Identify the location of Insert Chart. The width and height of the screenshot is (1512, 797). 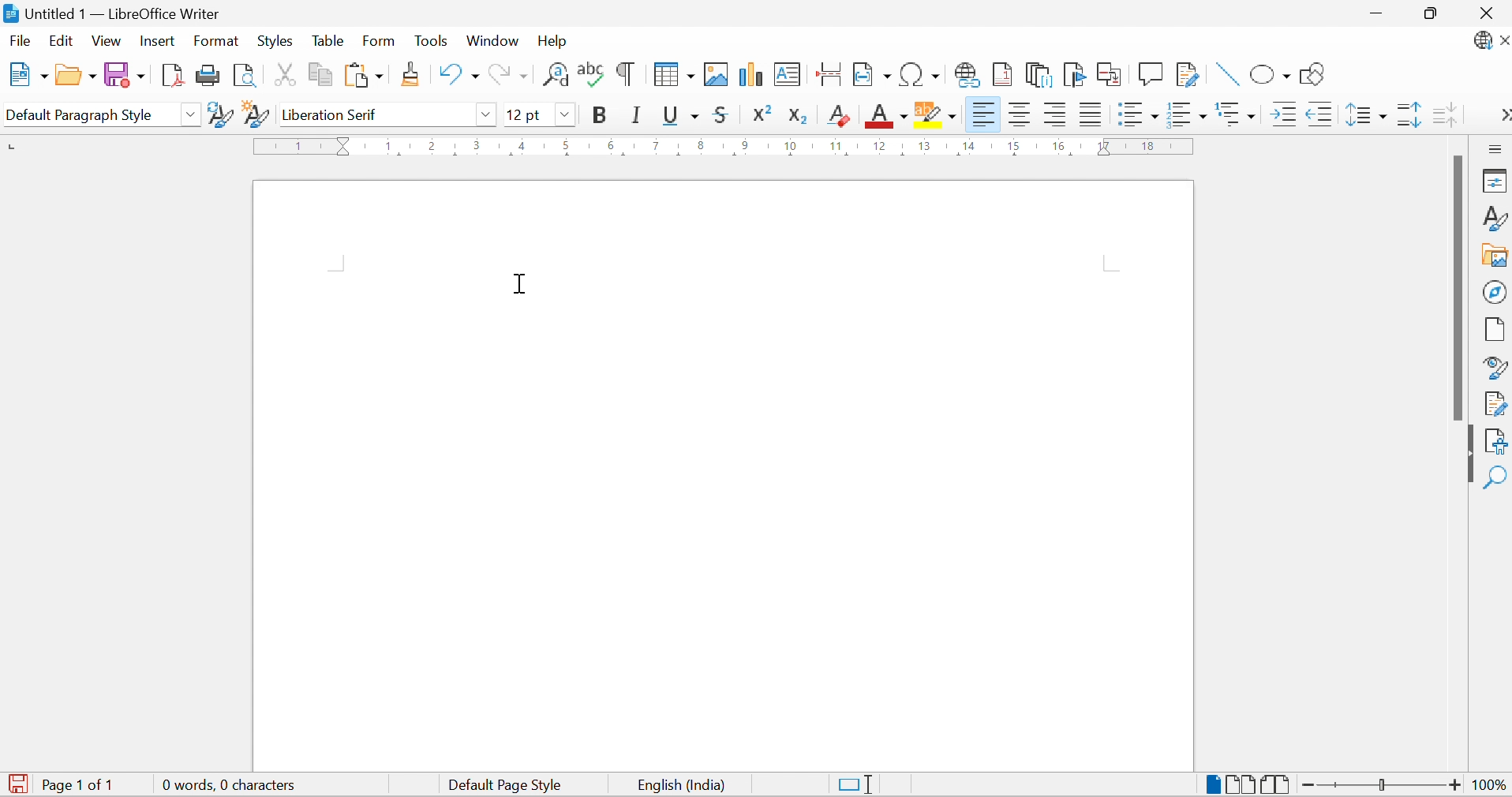
(750, 74).